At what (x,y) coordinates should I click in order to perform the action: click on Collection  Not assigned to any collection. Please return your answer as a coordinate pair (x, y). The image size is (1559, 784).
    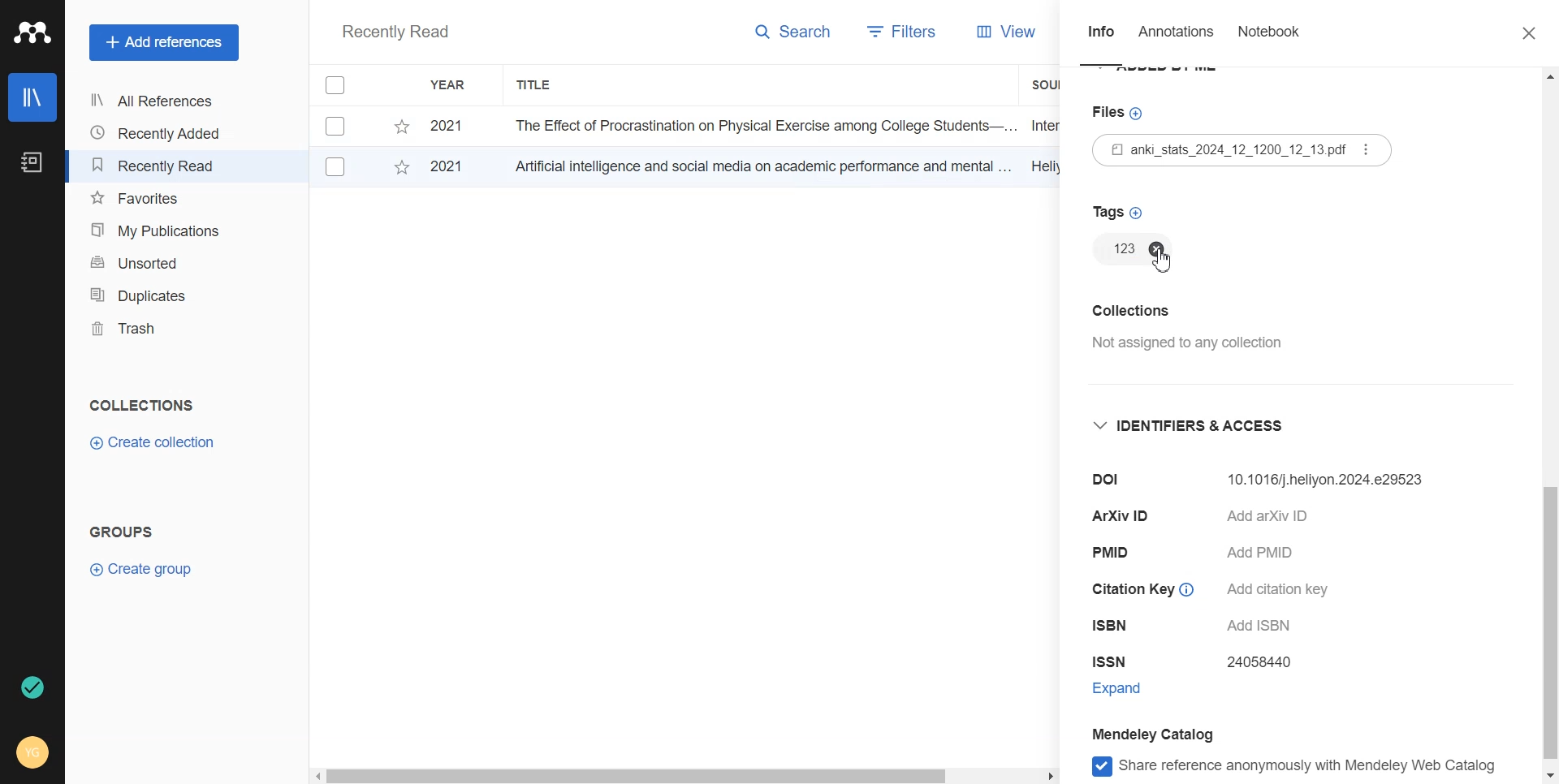
    Looking at the image, I should click on (1185, 334).